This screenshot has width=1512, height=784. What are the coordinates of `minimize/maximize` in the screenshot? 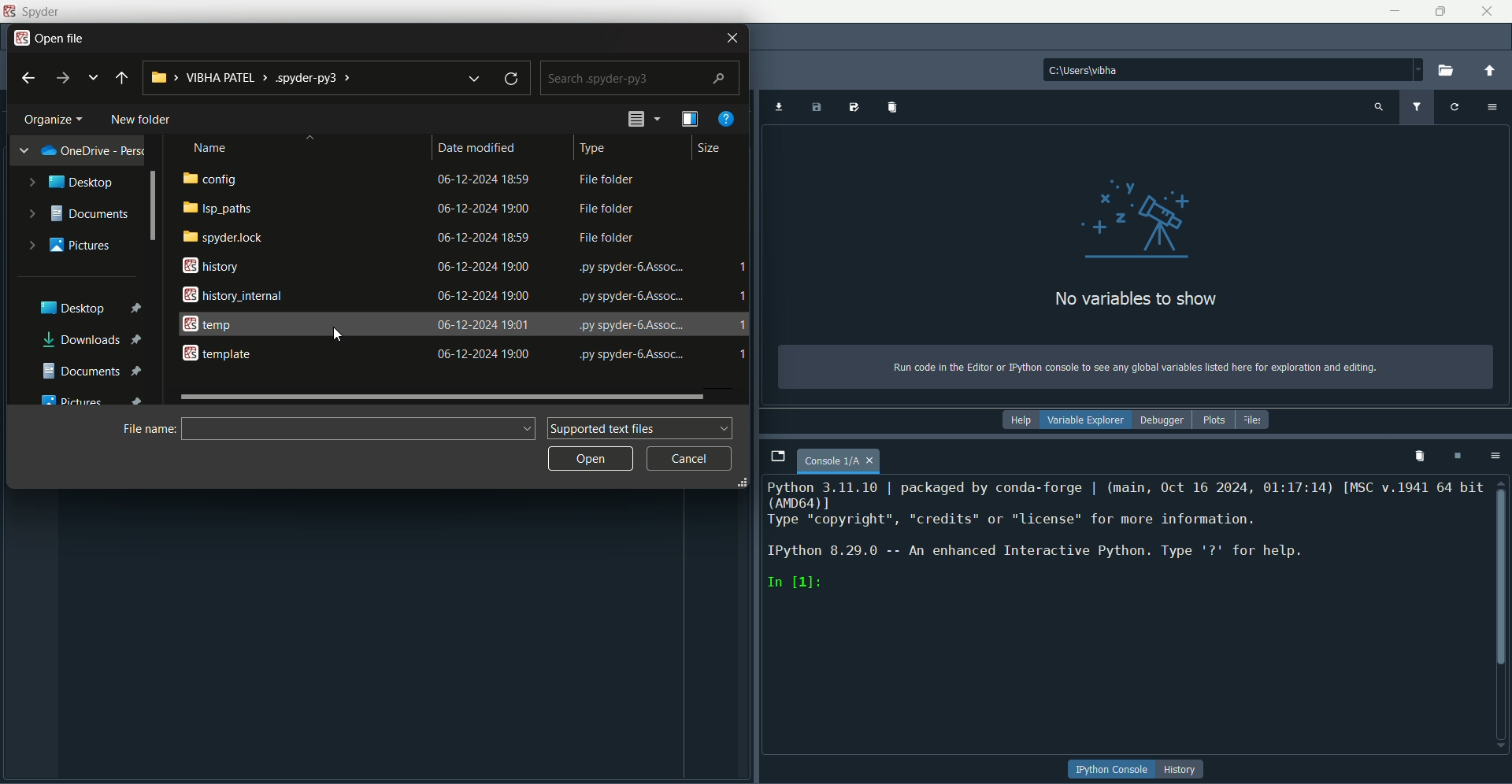 It's located at (1438, 11).